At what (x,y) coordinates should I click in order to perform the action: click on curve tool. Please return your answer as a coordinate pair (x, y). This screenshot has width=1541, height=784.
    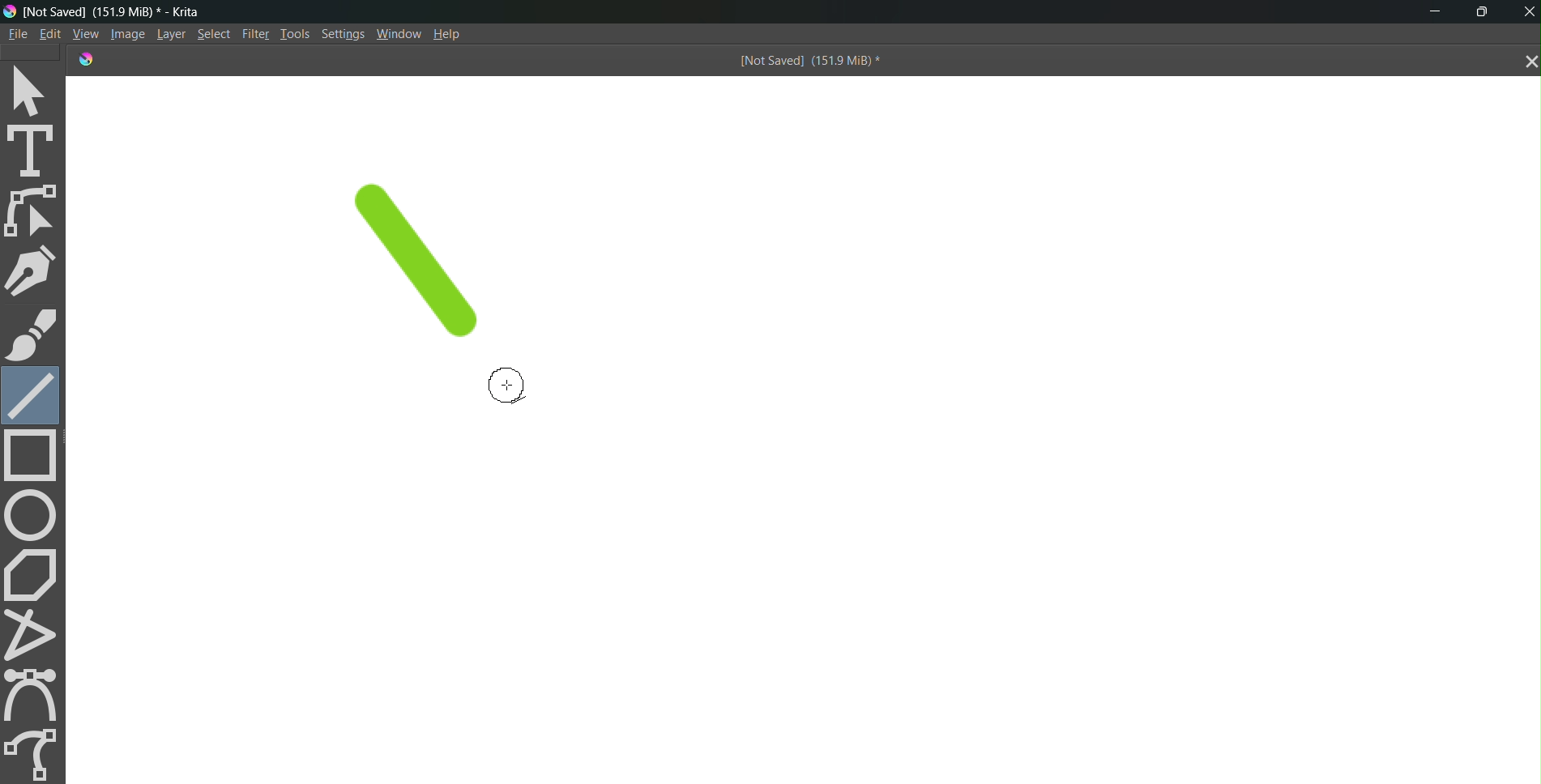
    Looking at the image, I should click on (36, 694).